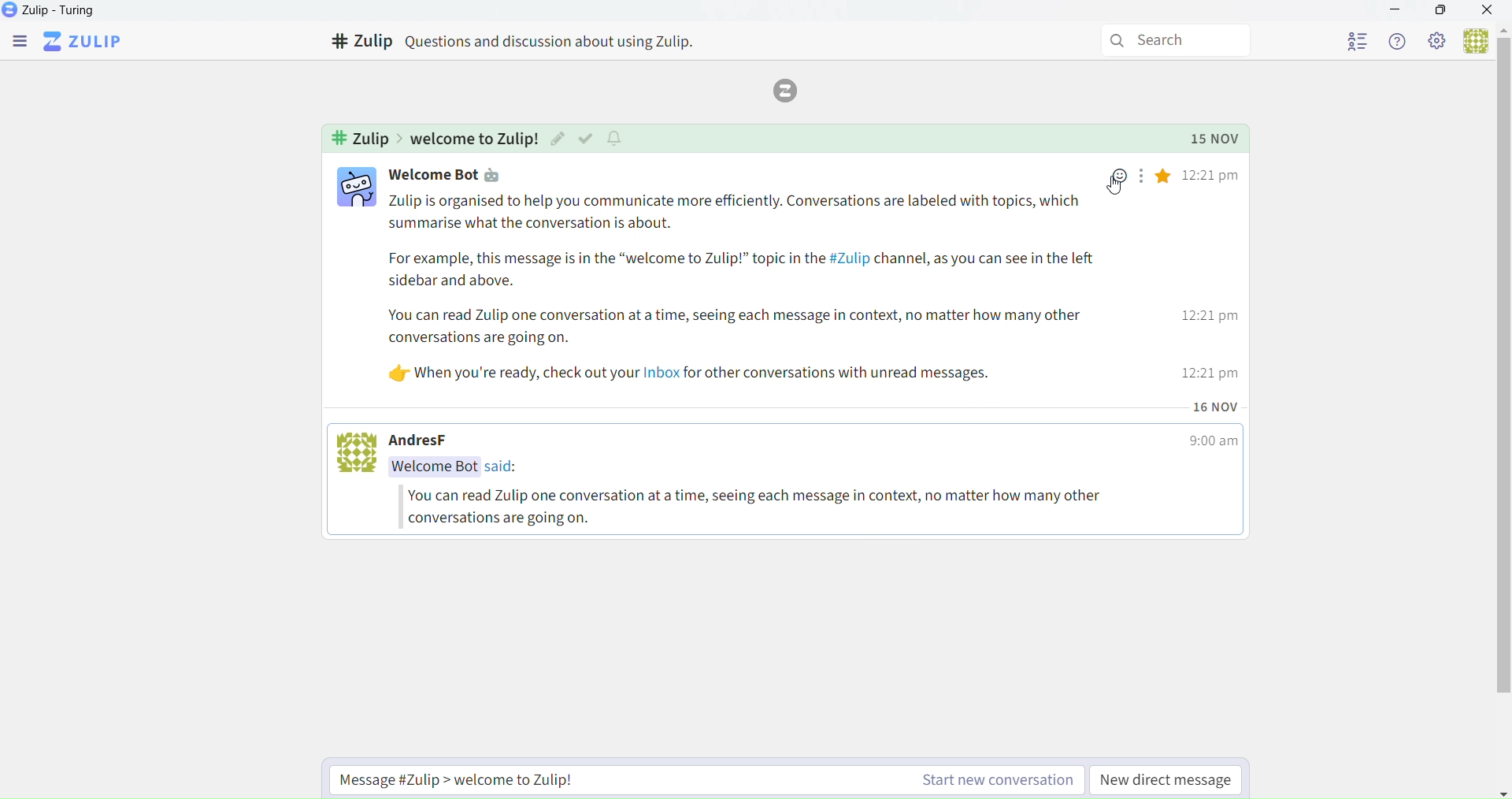 The image size is (1512, 799). Describe the element at coordinates (1342, 43) in the screenshot. I see `User list` at that location.